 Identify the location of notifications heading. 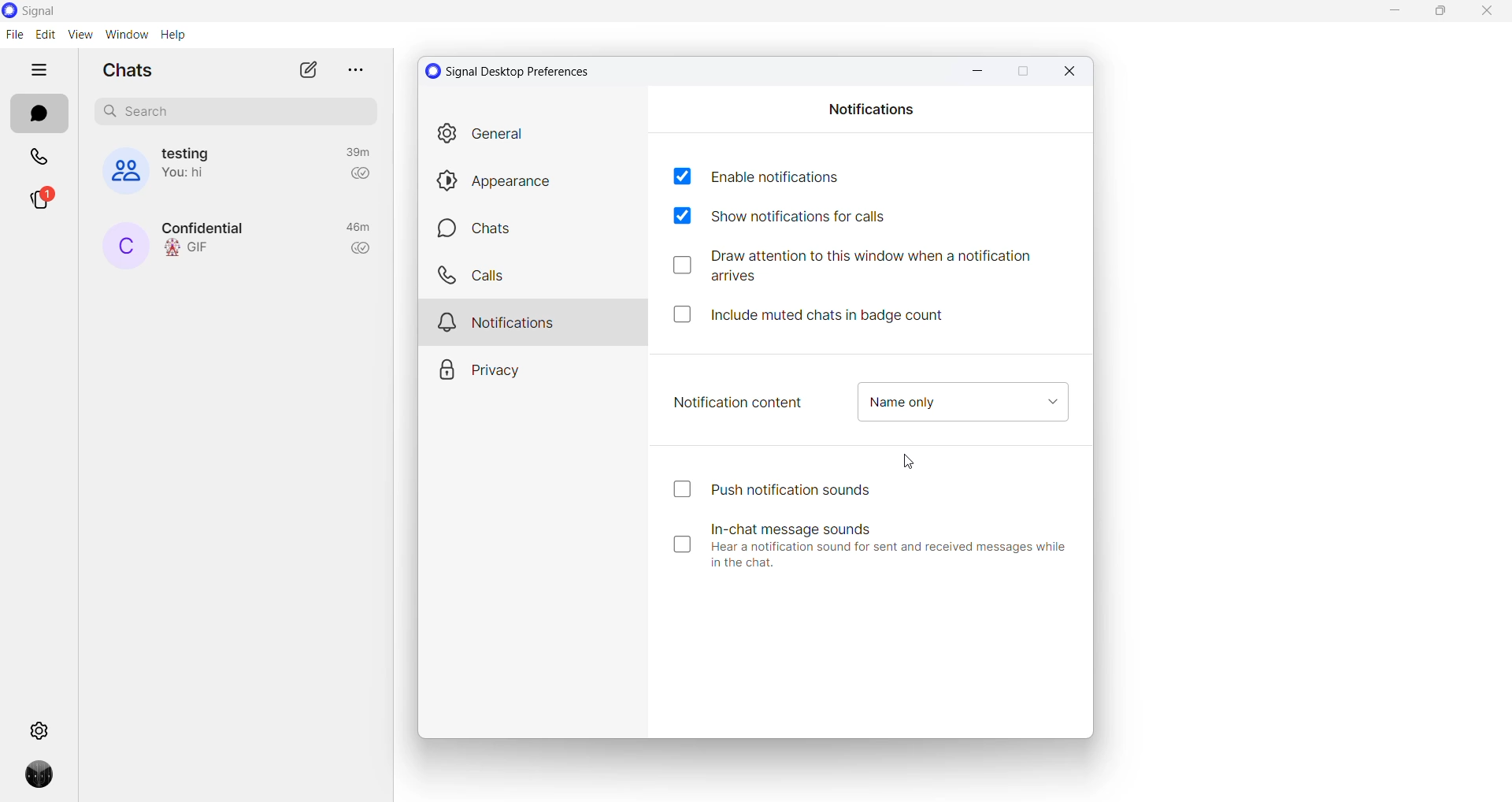
(873, 108).